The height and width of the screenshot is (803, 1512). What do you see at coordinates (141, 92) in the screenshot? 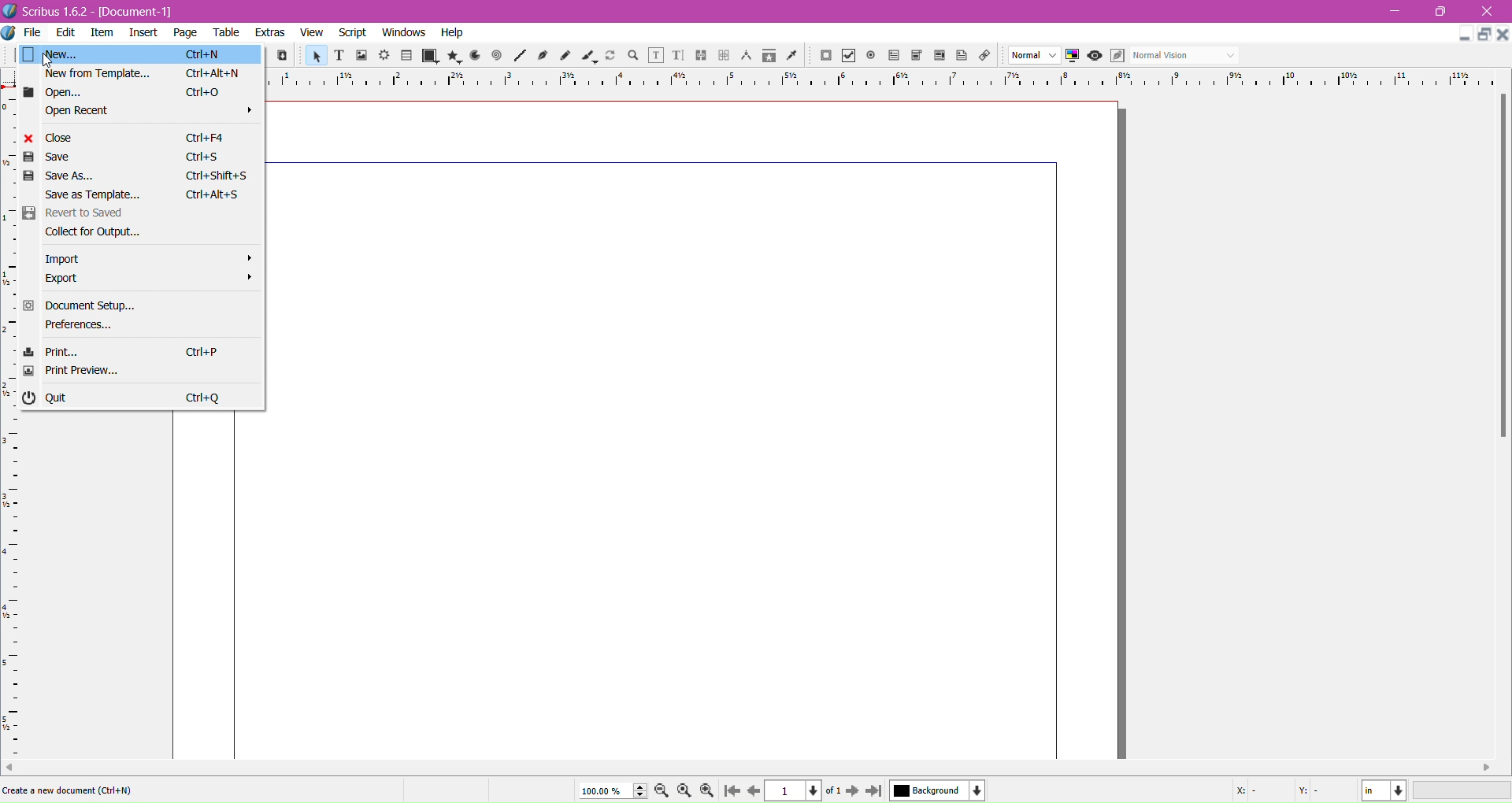
I see `Open` at bounding box center [141, 92].